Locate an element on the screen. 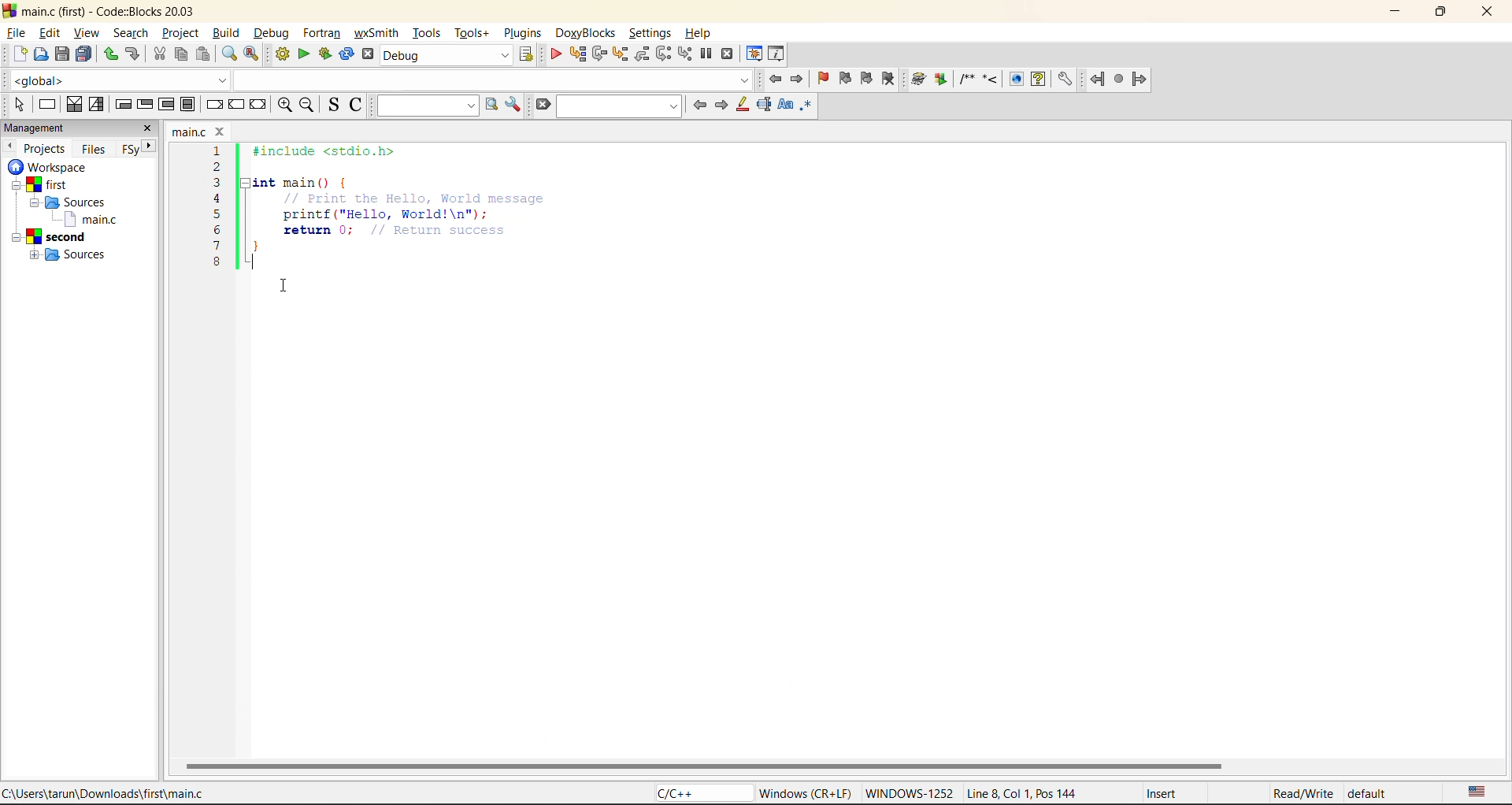 The image size is (1512, 805). entry condition loop is located at coordinates (122, 103).